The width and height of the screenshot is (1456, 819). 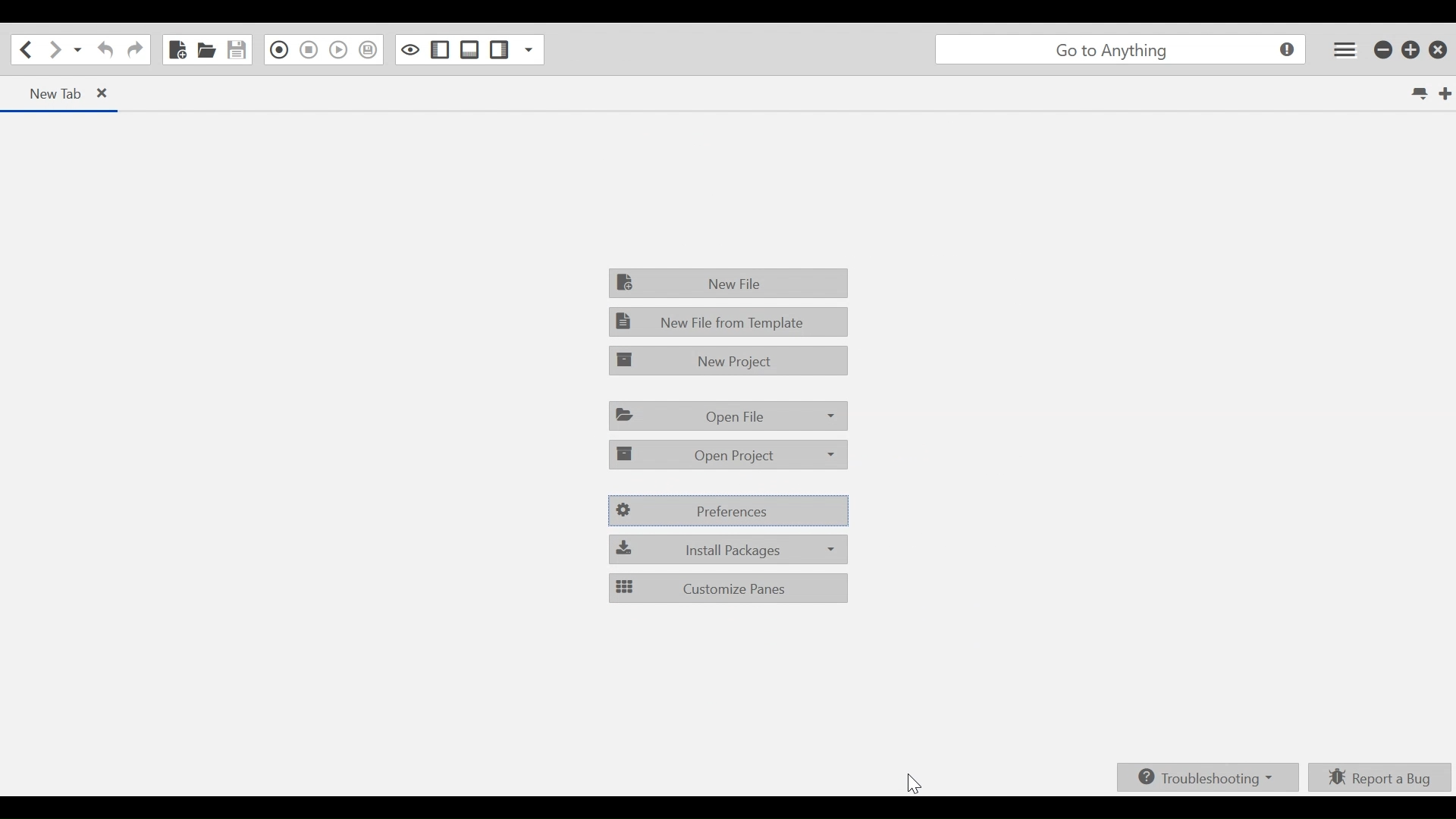 What do you see at coordinates (441, 50) in the screenshot?
I see `Show/Hide Left Pane` at bounding box center [441, 50].